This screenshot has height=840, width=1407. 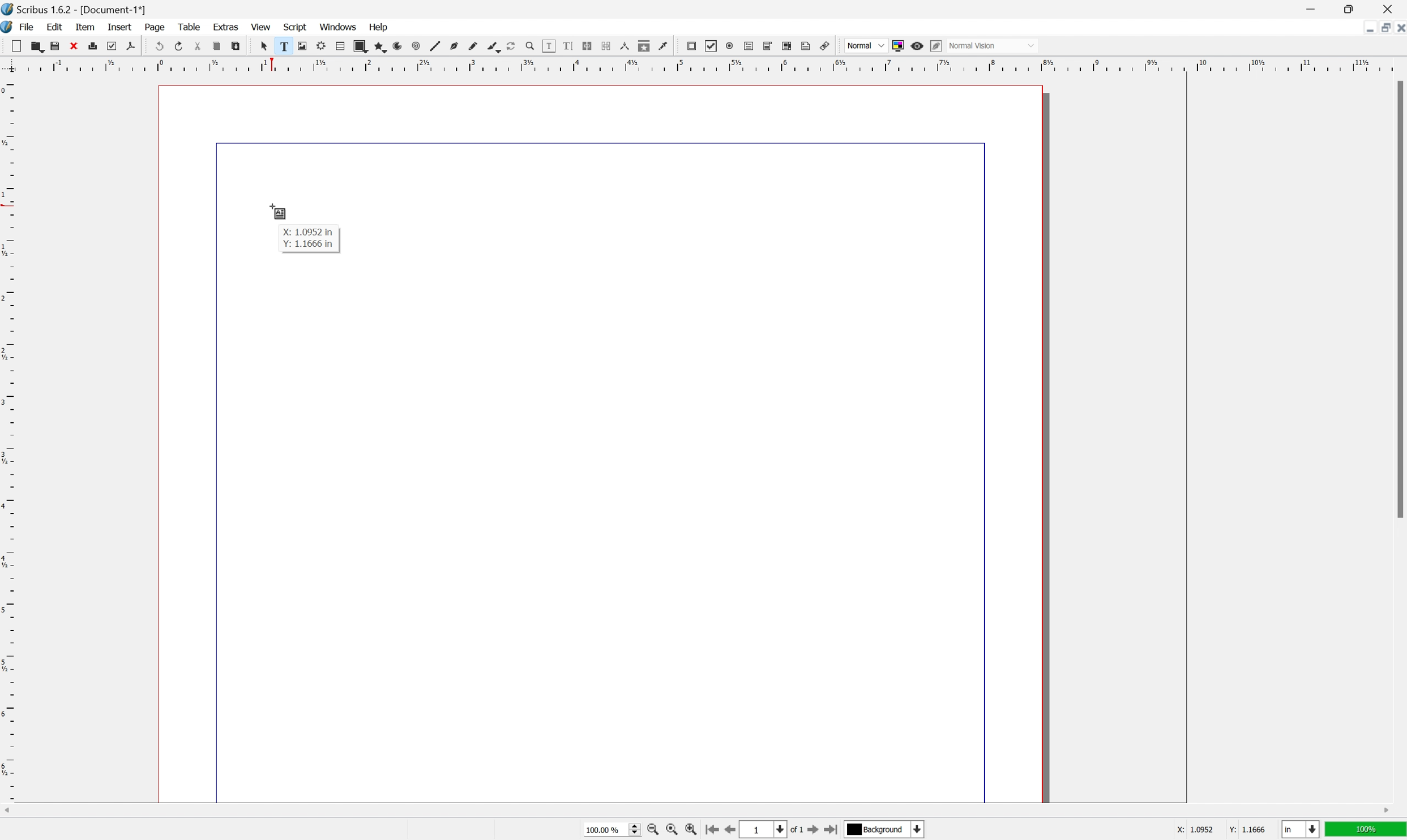 What do you see at coordinates (435, 47) in the screenshot?
I see `line` at bounding box center [435, 47].